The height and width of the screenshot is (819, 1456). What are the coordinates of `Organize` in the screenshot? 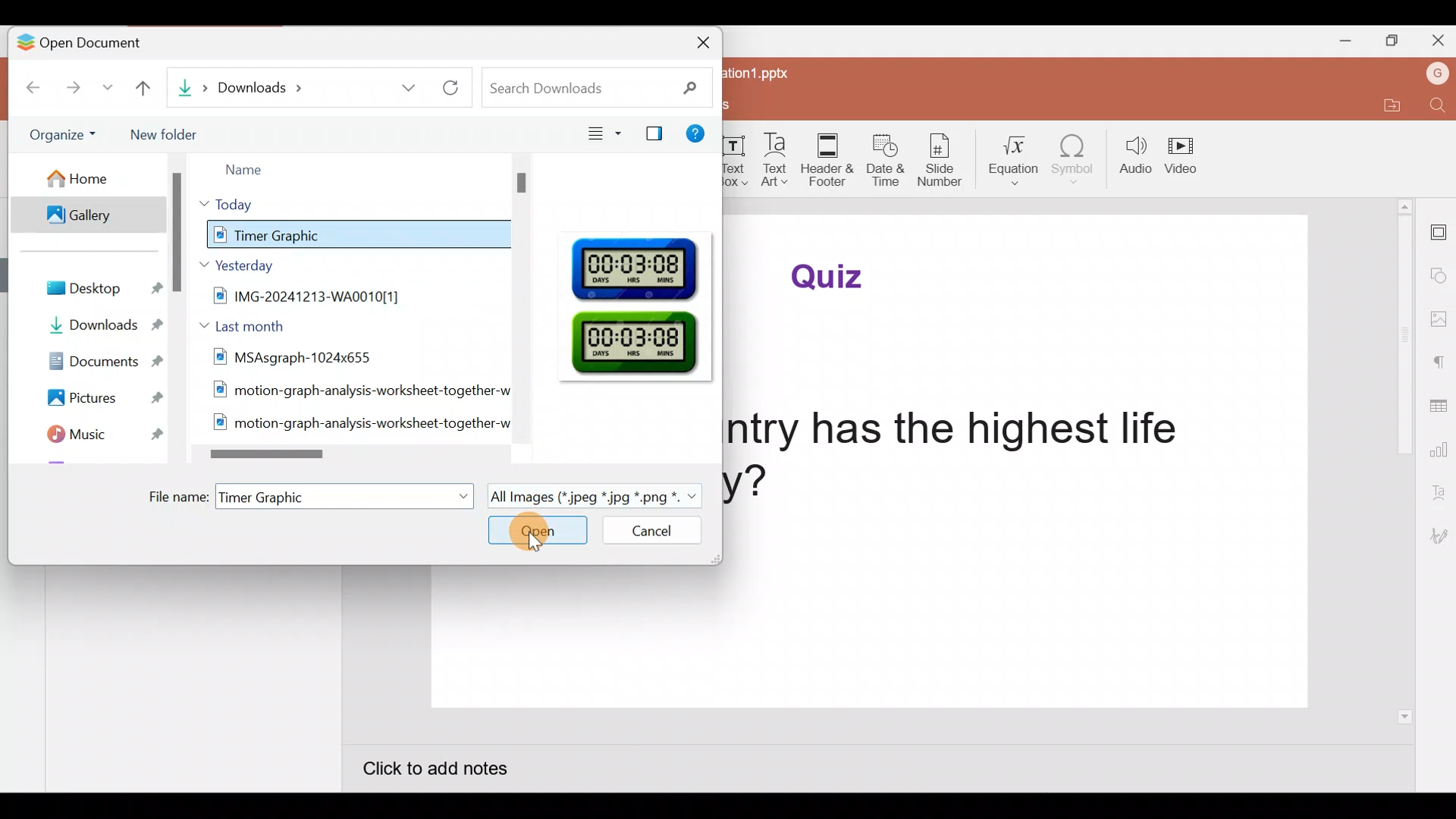 It's located at (65, 129).